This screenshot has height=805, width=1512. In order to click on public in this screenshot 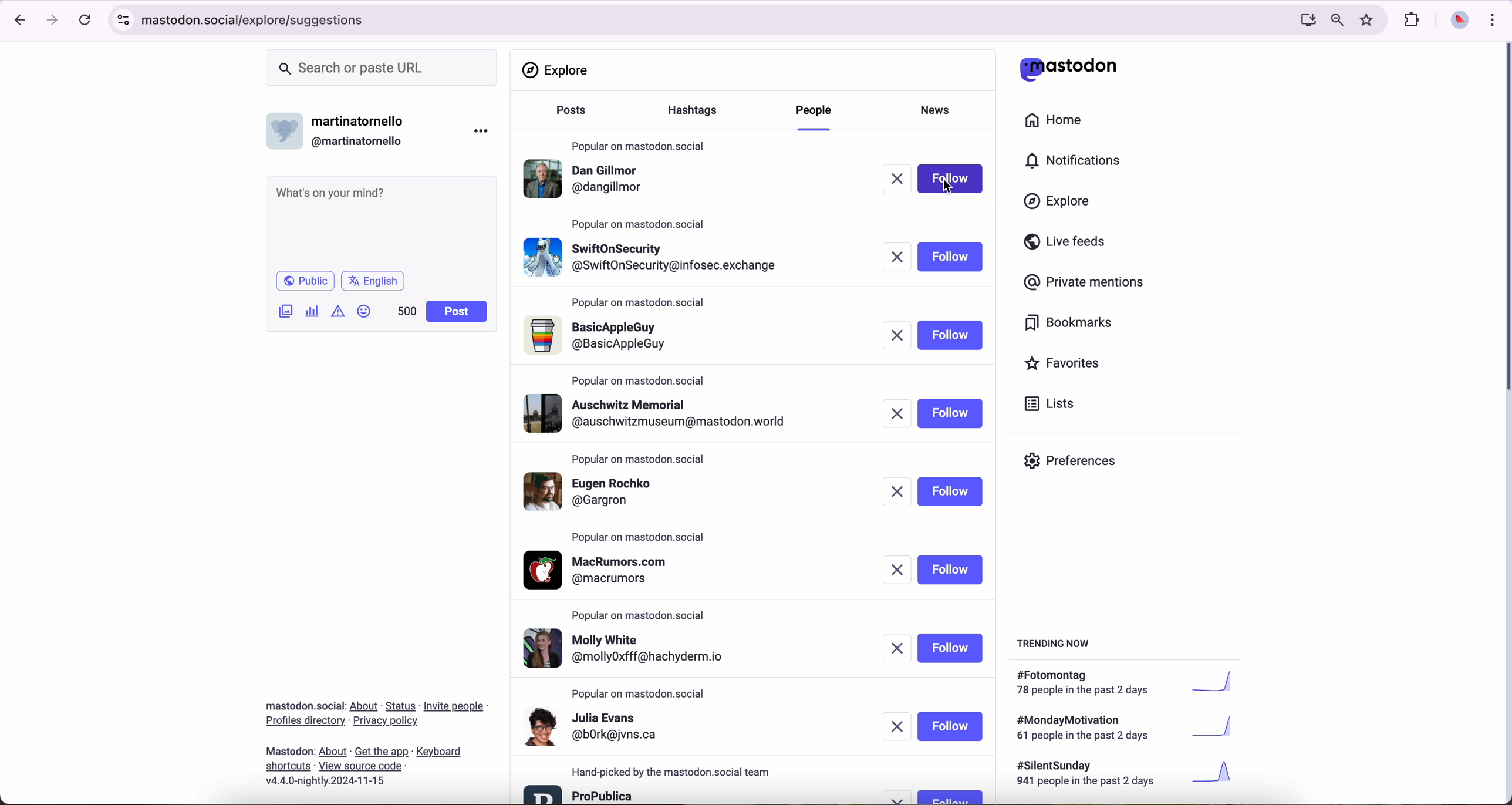, I will do `click(304, 281)`.